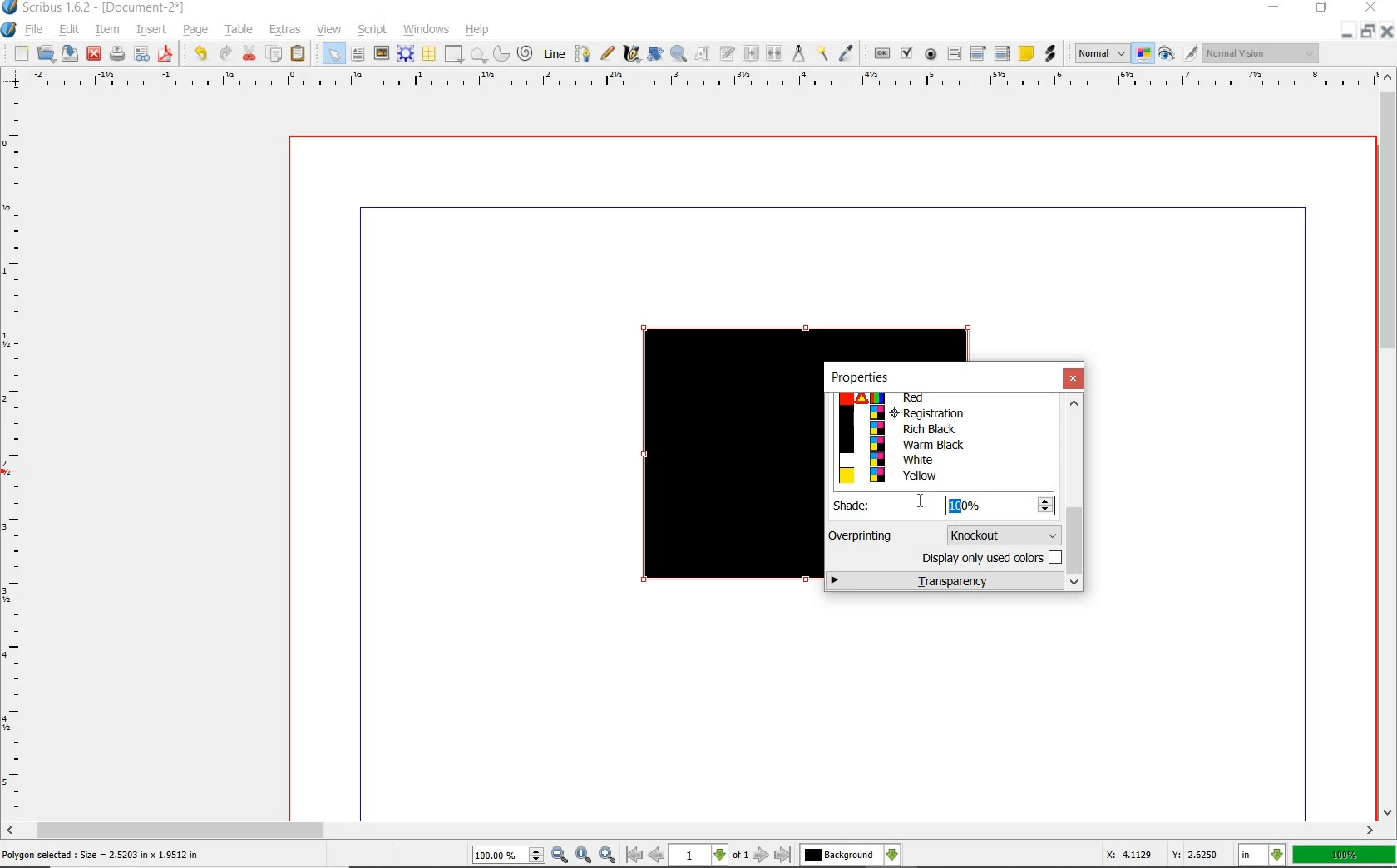 The width and height of the screenshot is (1397, 868). I want to click on render frame, so click(404, 53).